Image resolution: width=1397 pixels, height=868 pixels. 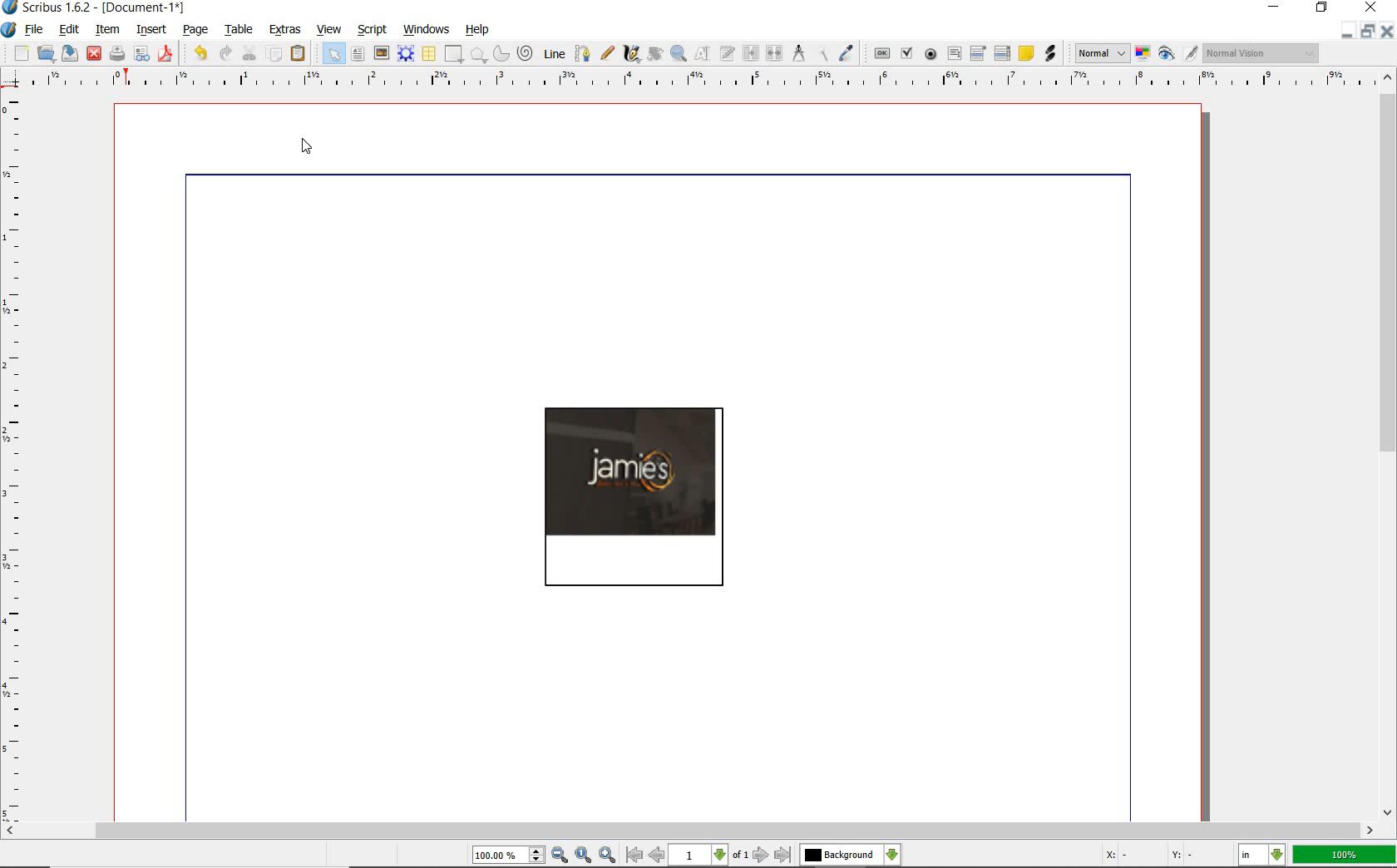 I want to click on scrollbar, so click(x=691, y=830).